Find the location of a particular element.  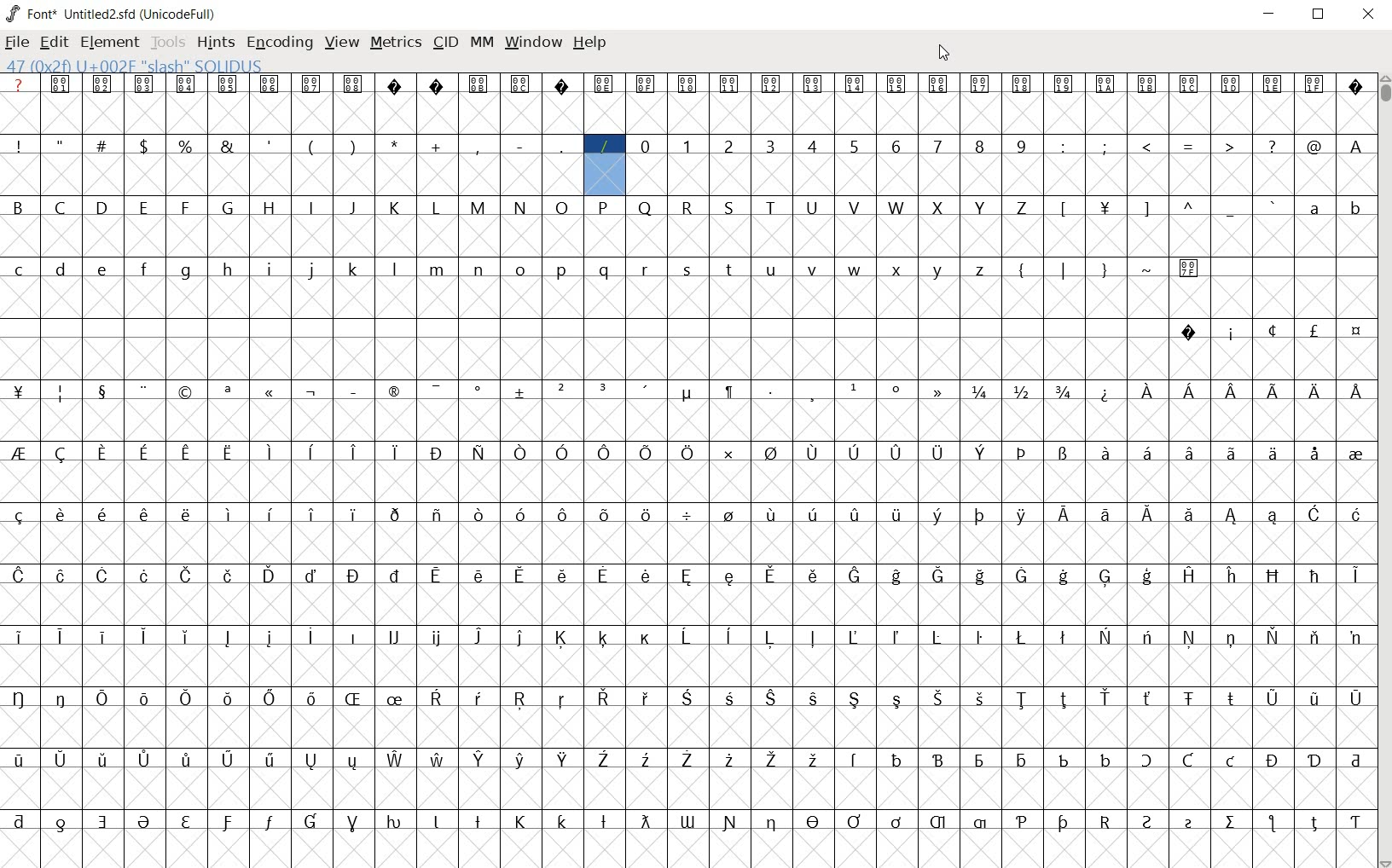

glyph is located at coordinates (1147, 822).